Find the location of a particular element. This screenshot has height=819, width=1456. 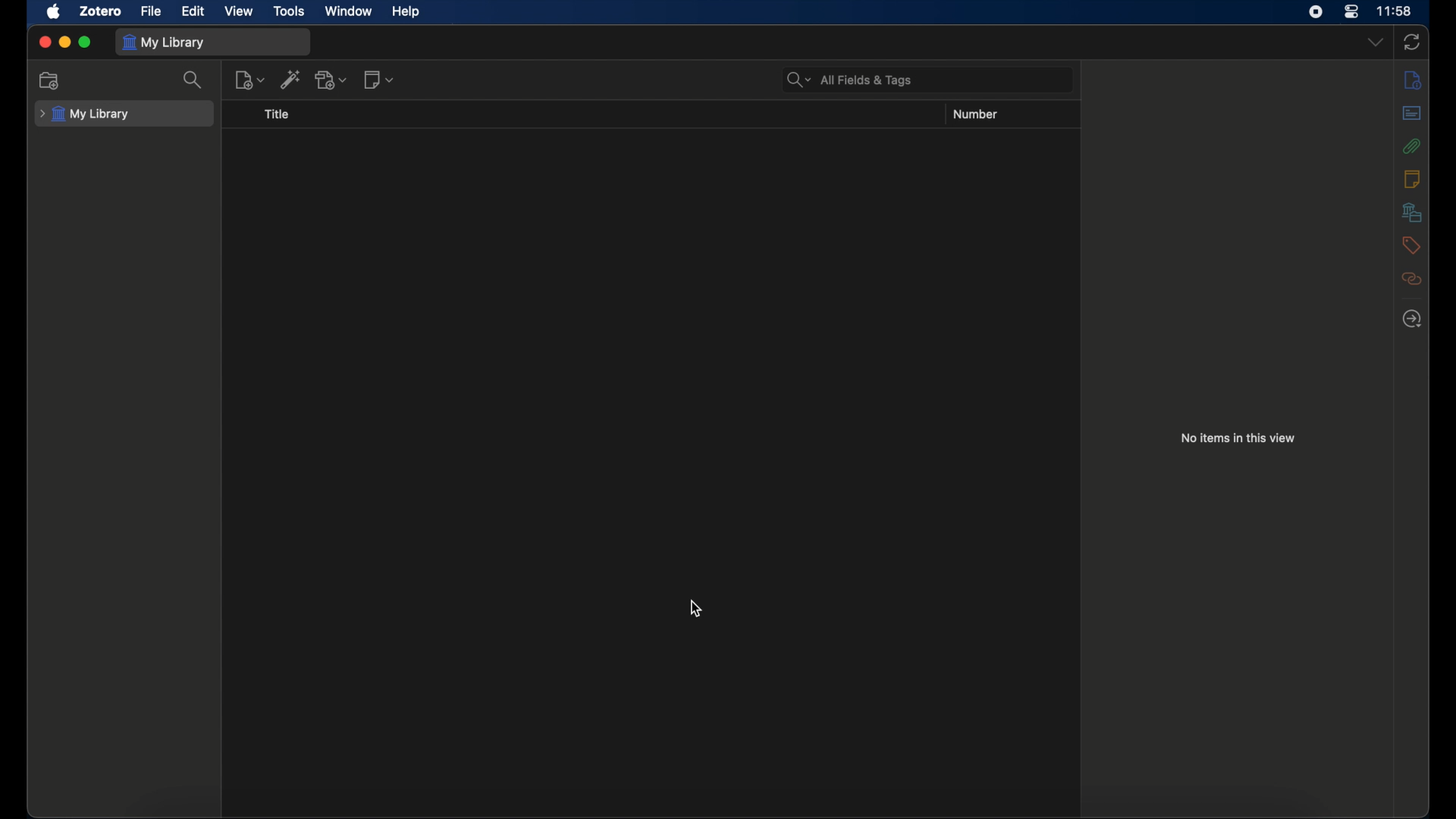

add item by identifier is located at coordinates (291, 79).